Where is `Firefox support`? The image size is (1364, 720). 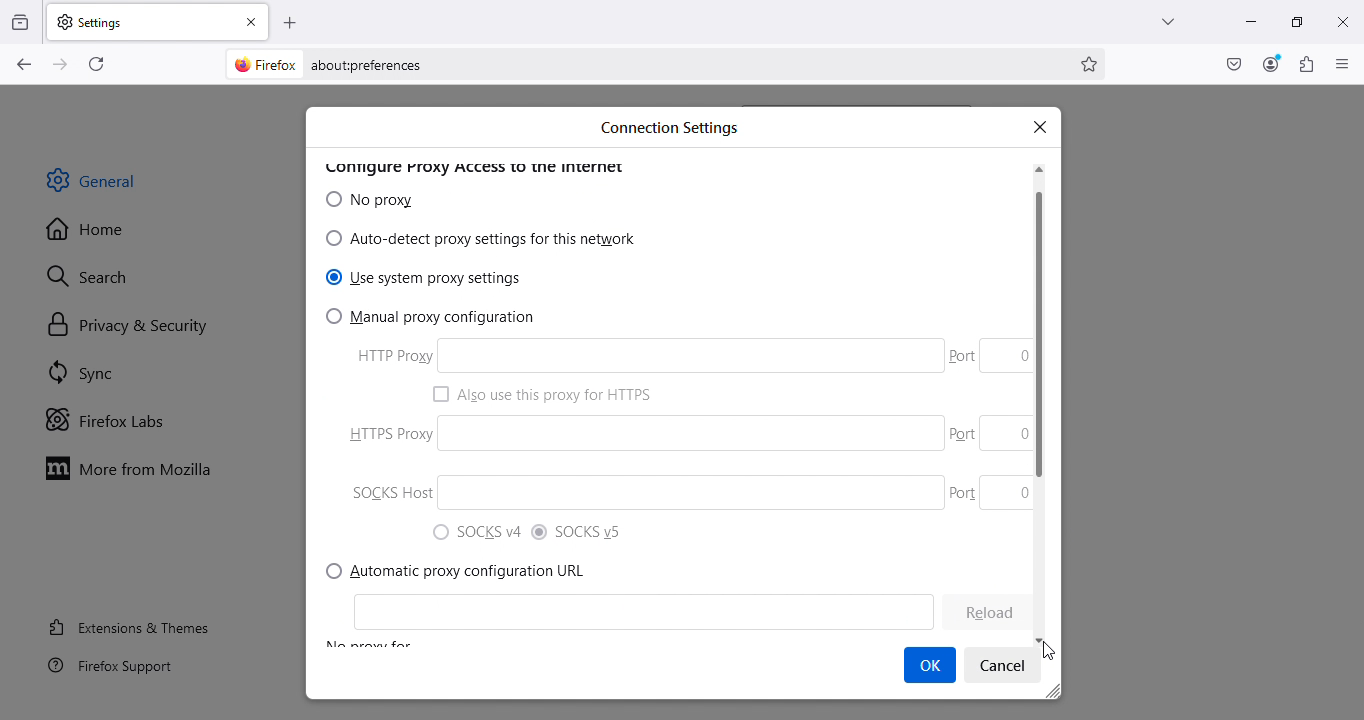 Firefox support is located at coordinates (113, 670).